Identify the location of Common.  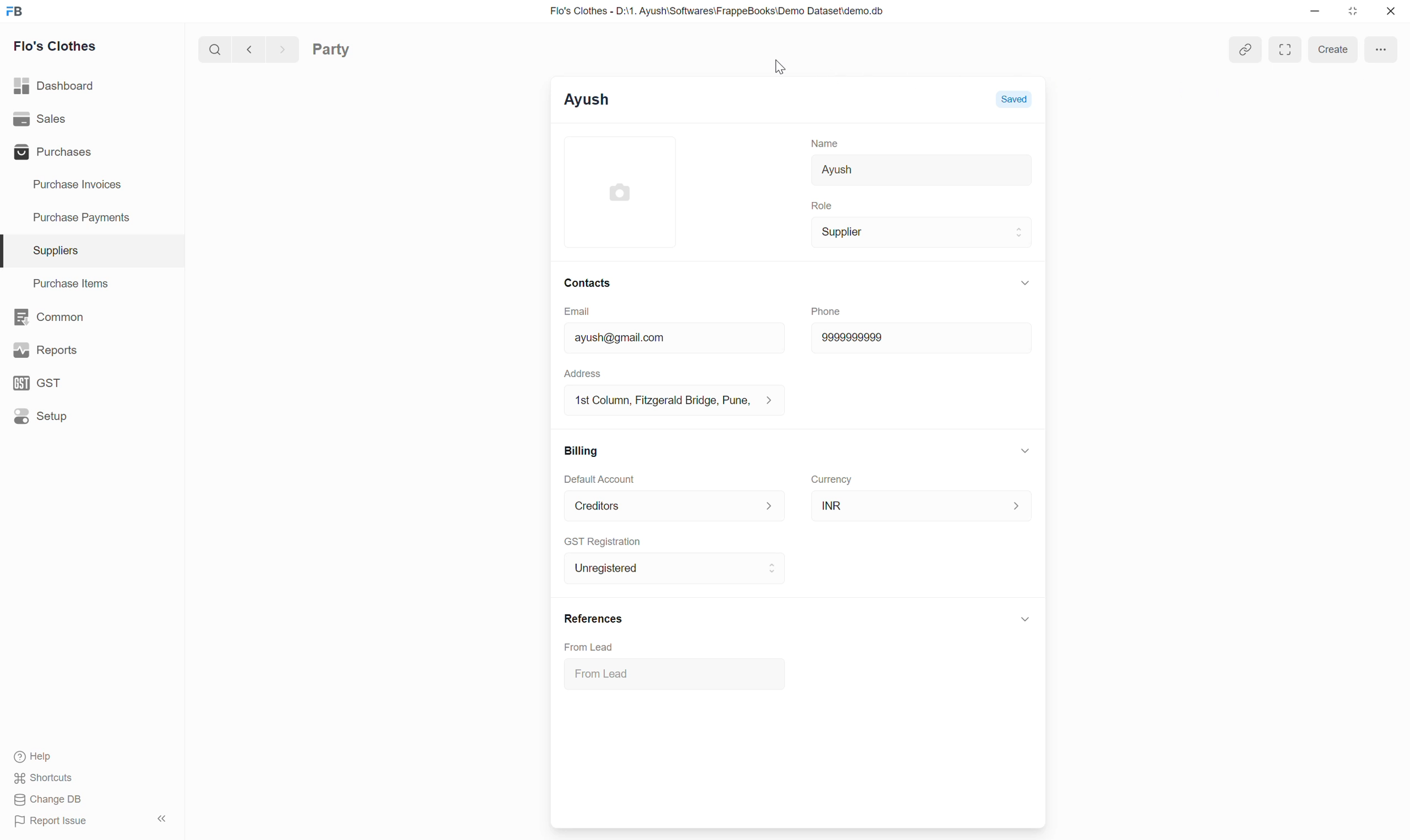
(91, 317).